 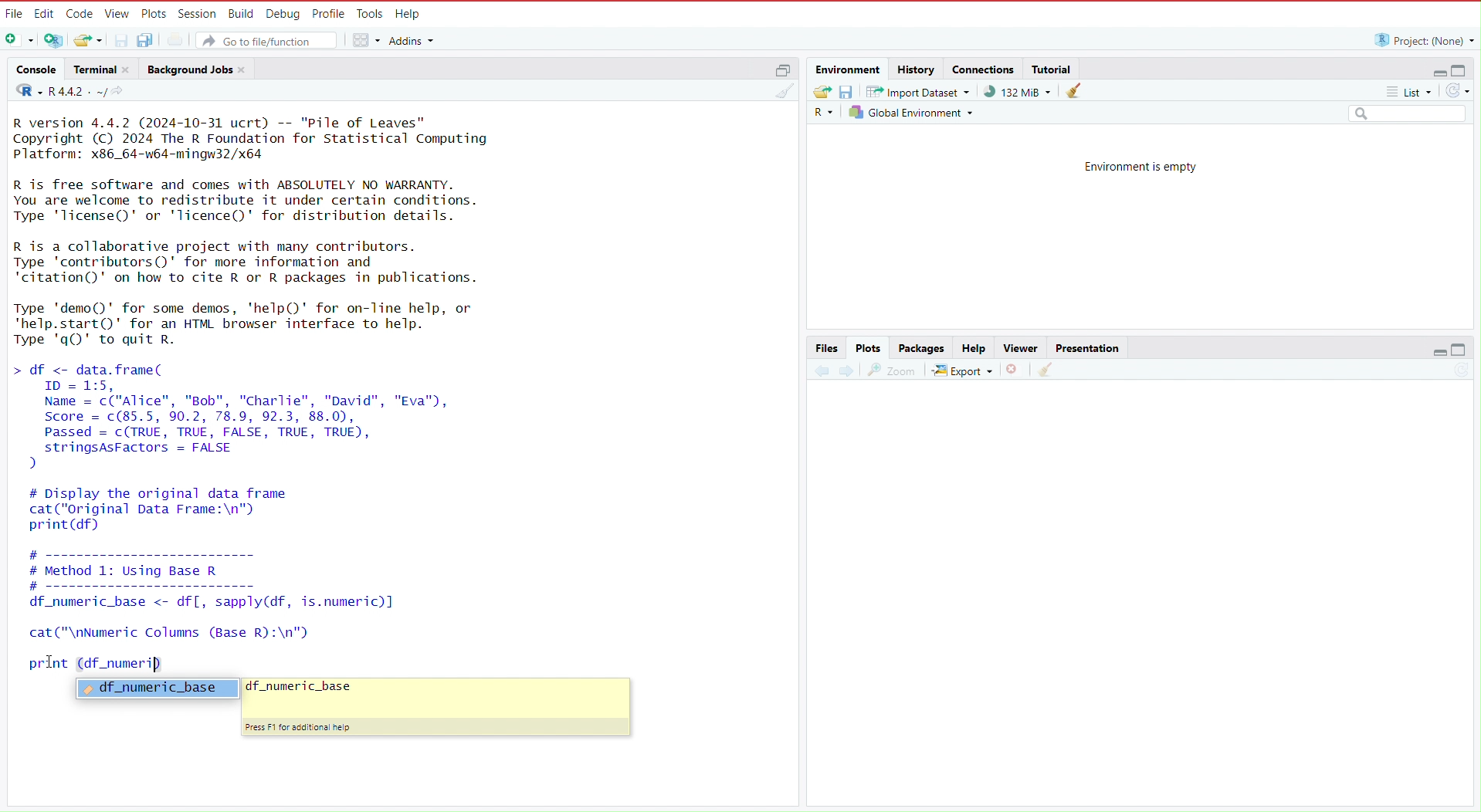 I want to click on Plots, so click(x=156, y=13).